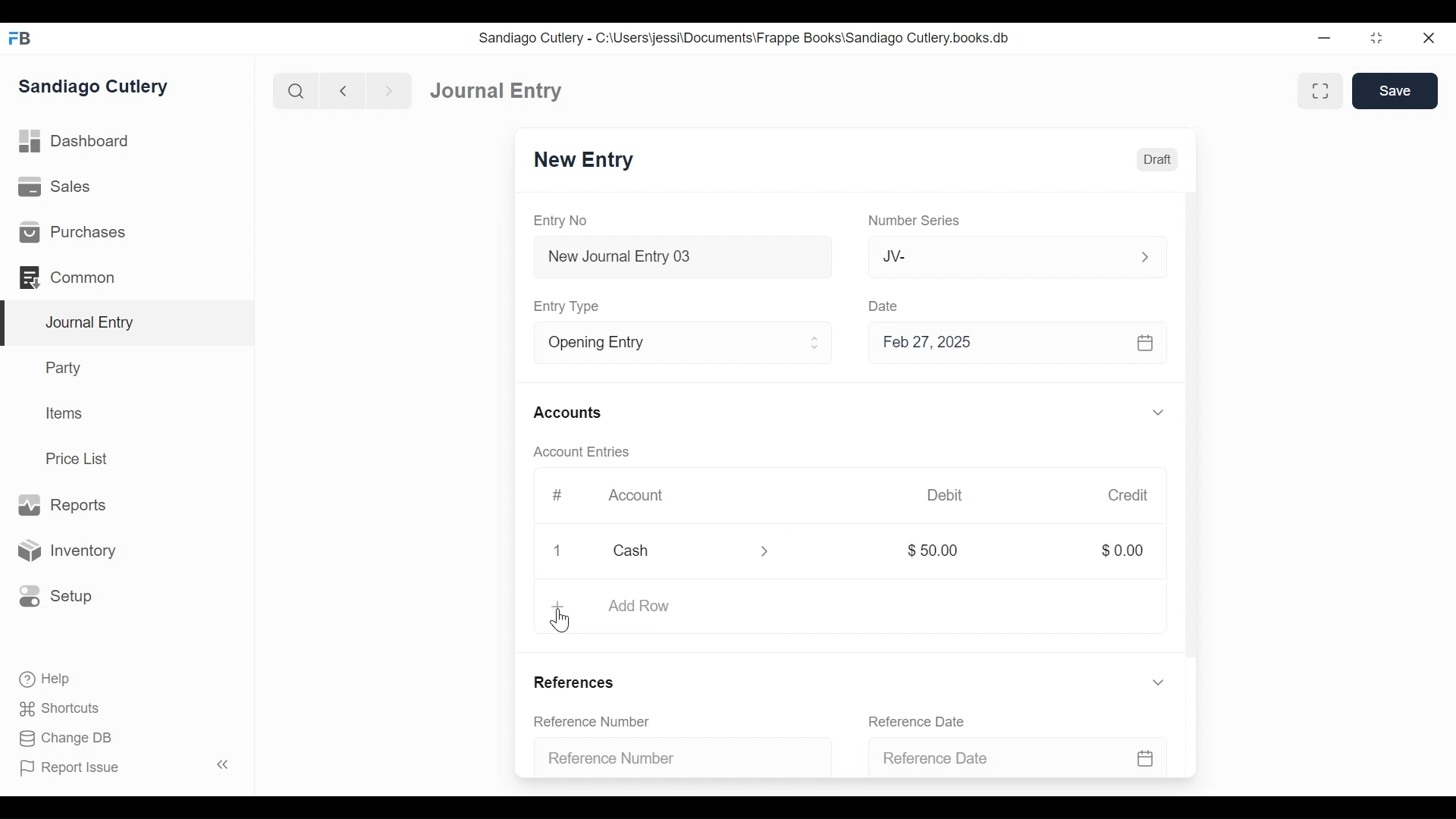  Describe the element at coordinates (1376, 37) in the screenshot. I see `Restore` at that location.